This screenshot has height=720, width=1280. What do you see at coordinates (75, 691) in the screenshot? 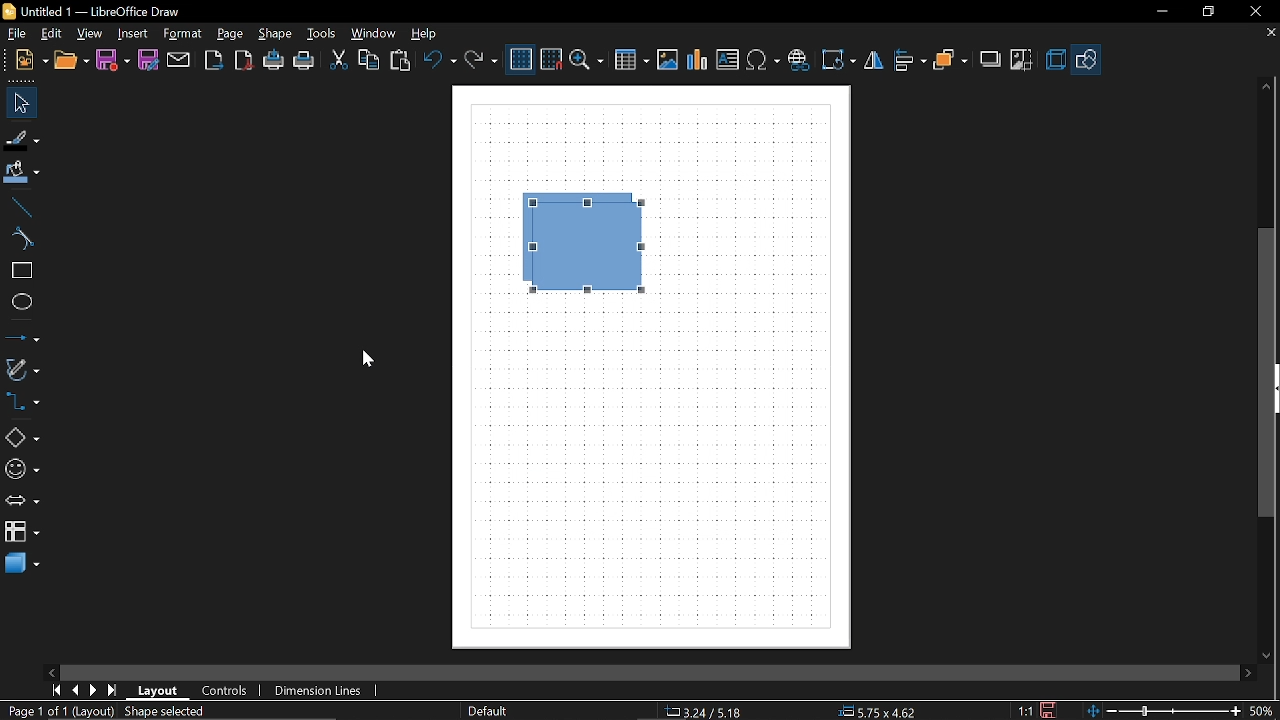
I see `previous page` at bounding box center [75, 691].